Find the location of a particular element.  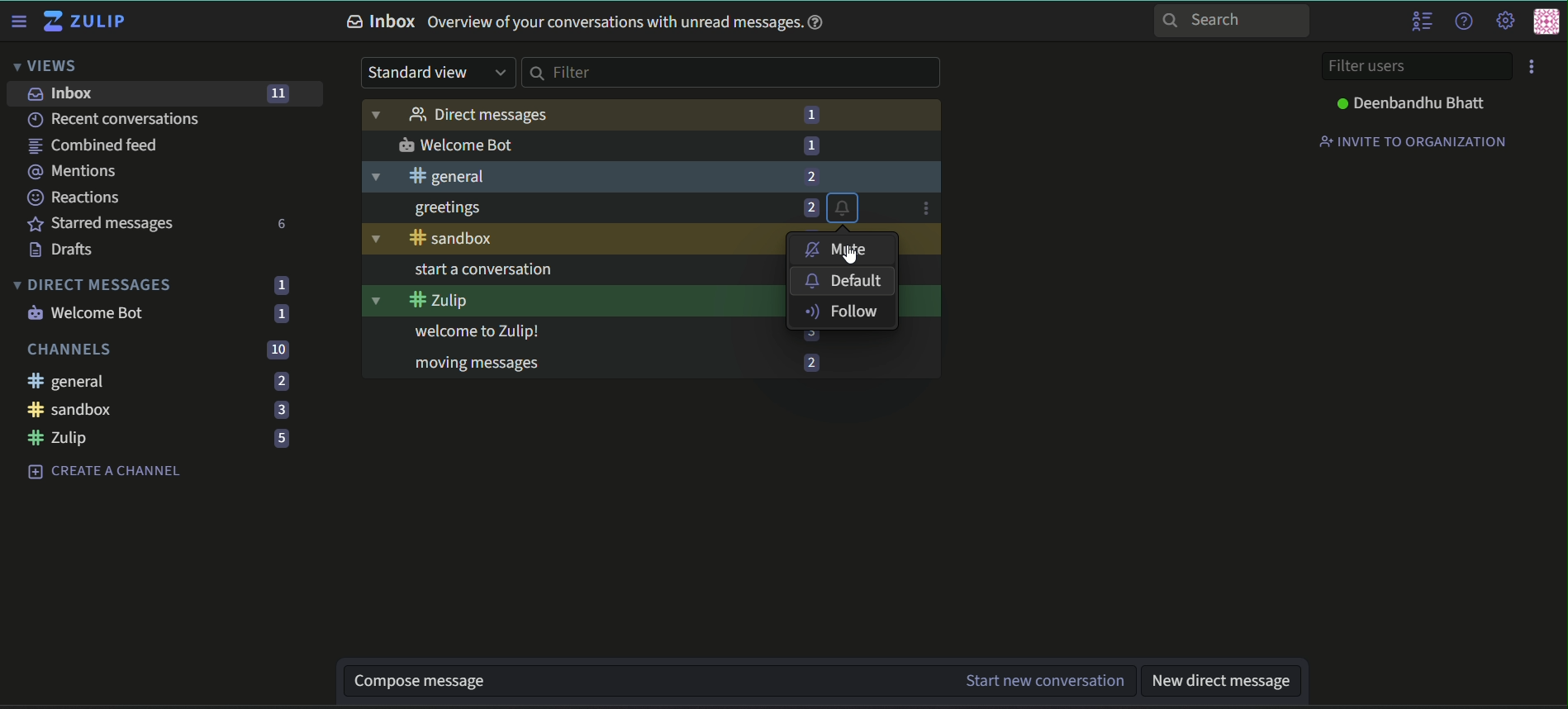

bell is located at coordinates (845, 208).